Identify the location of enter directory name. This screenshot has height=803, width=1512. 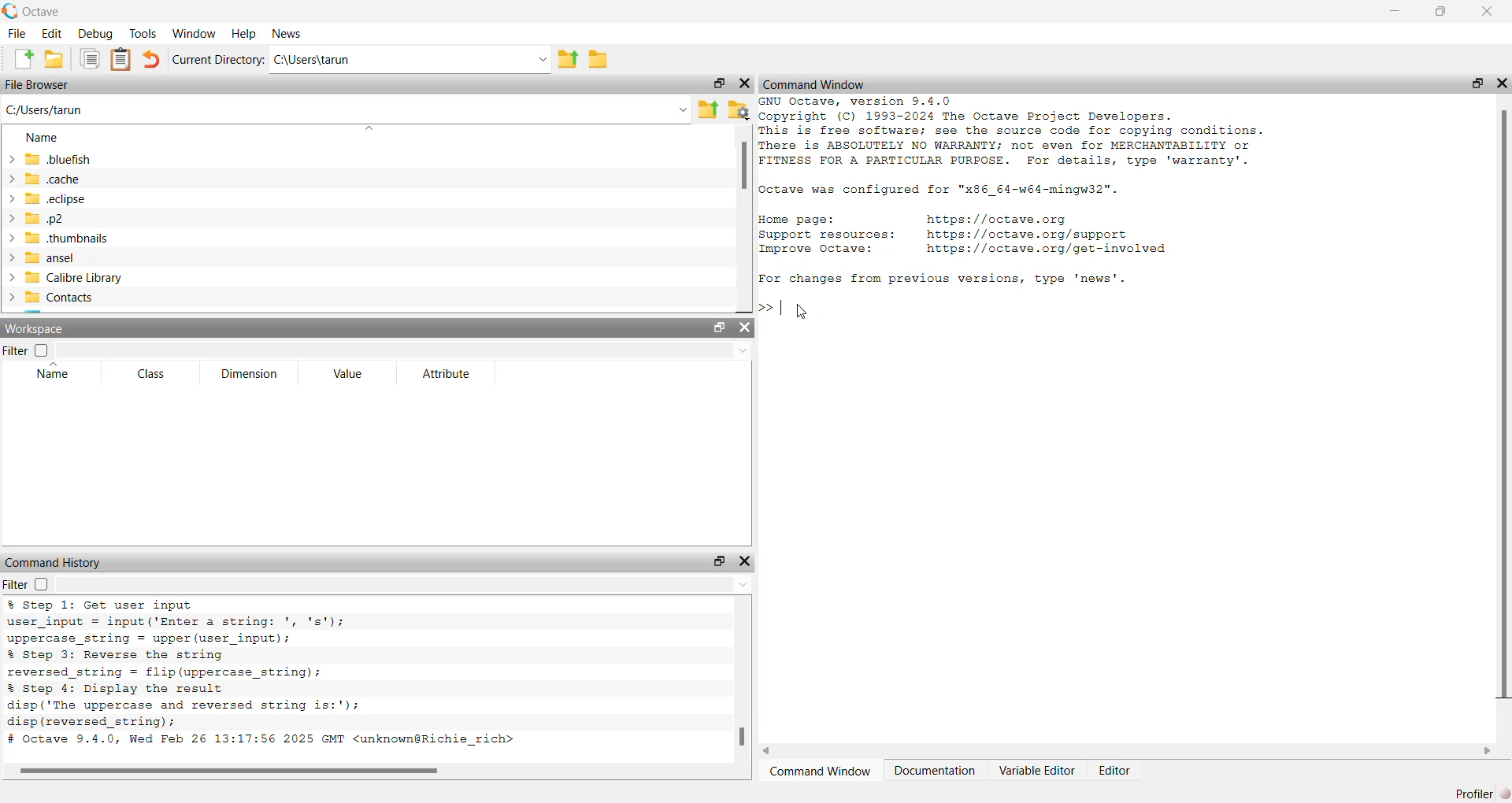
(413, 57).